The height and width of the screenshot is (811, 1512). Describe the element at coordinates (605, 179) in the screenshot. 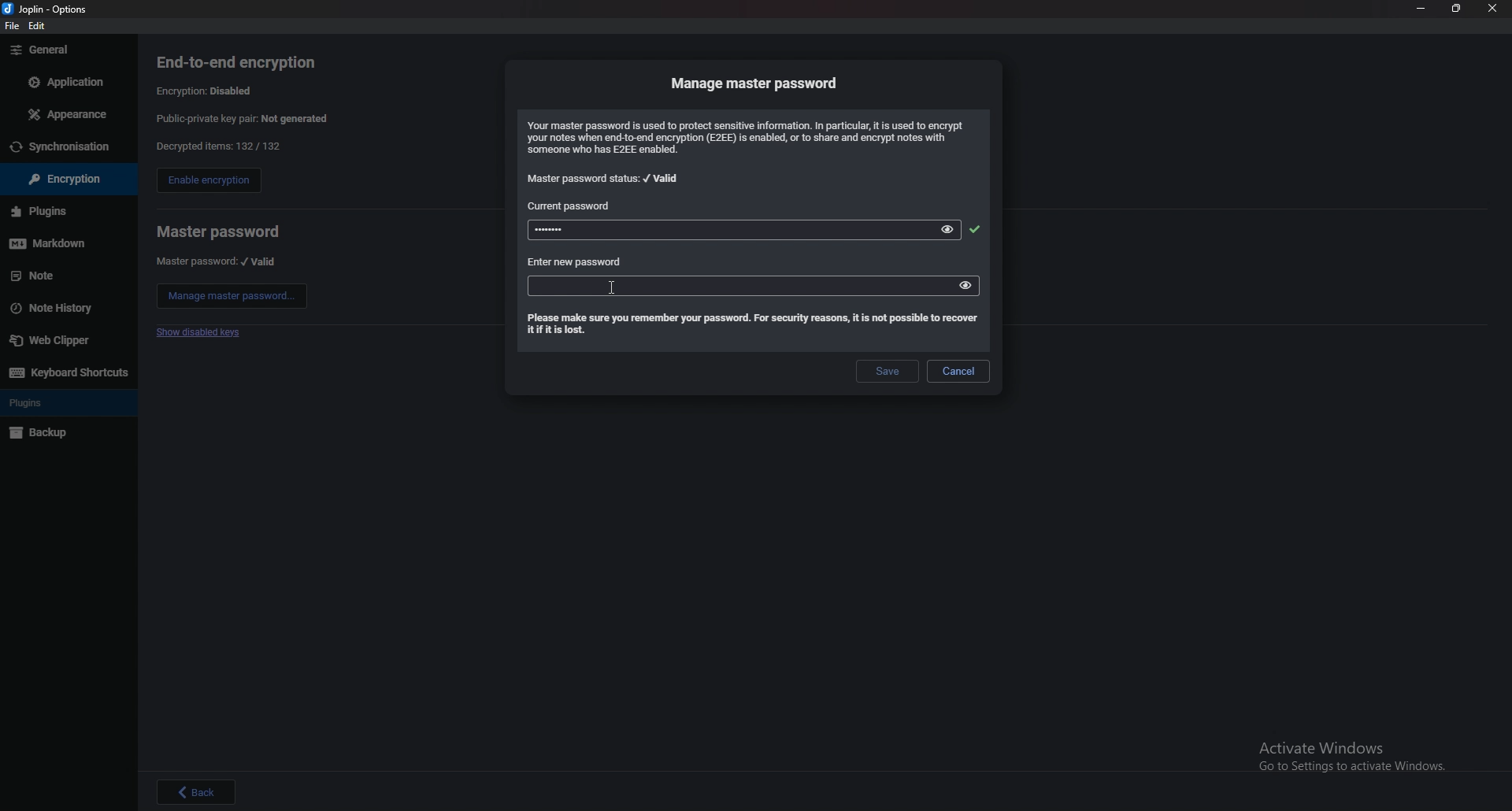

I see `master password status` at that location.